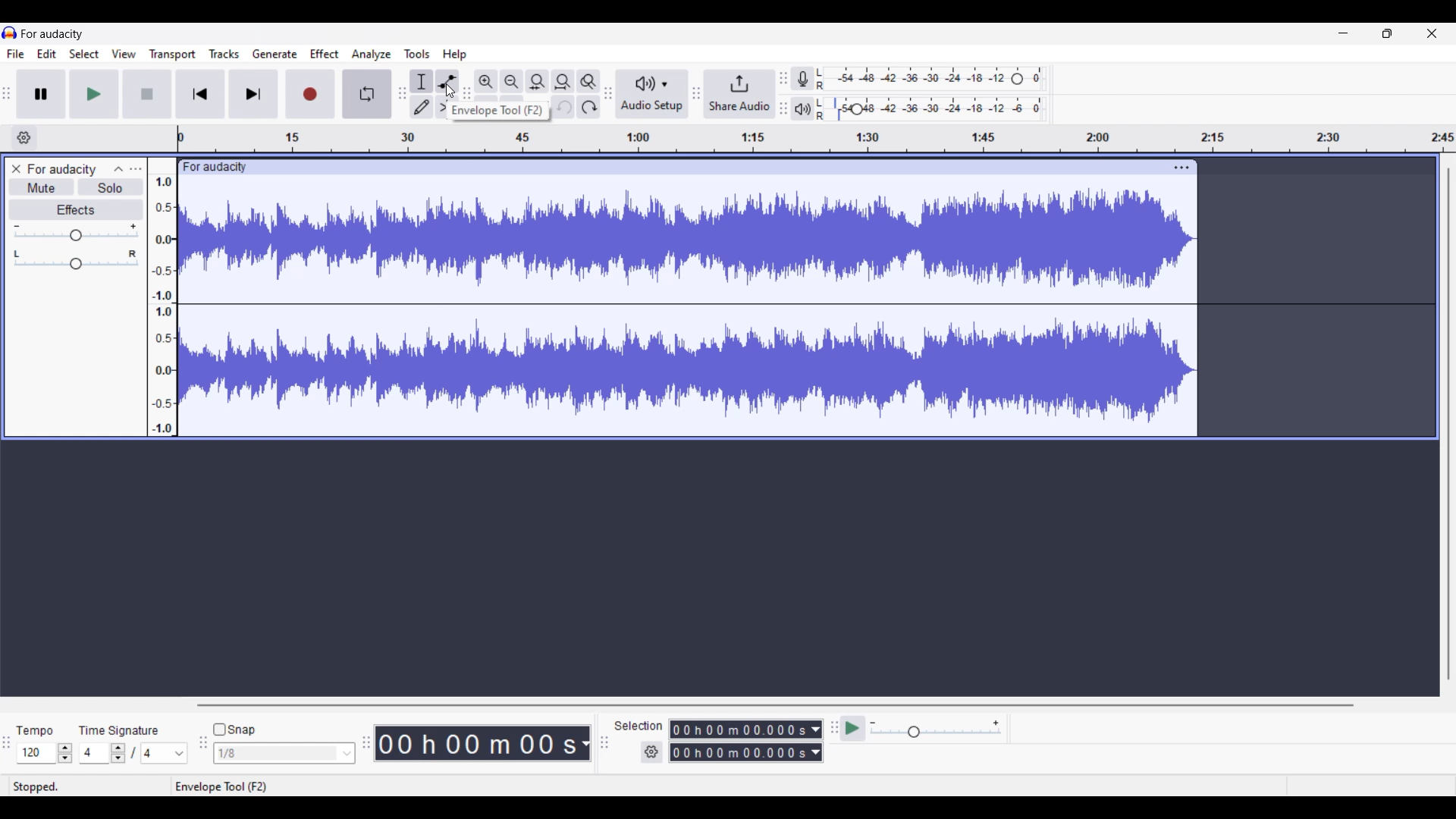 The image size is (1456, 819). Describe the element at coordinates (422, 82) in the screenshot. I see `Selection tool` at that location.